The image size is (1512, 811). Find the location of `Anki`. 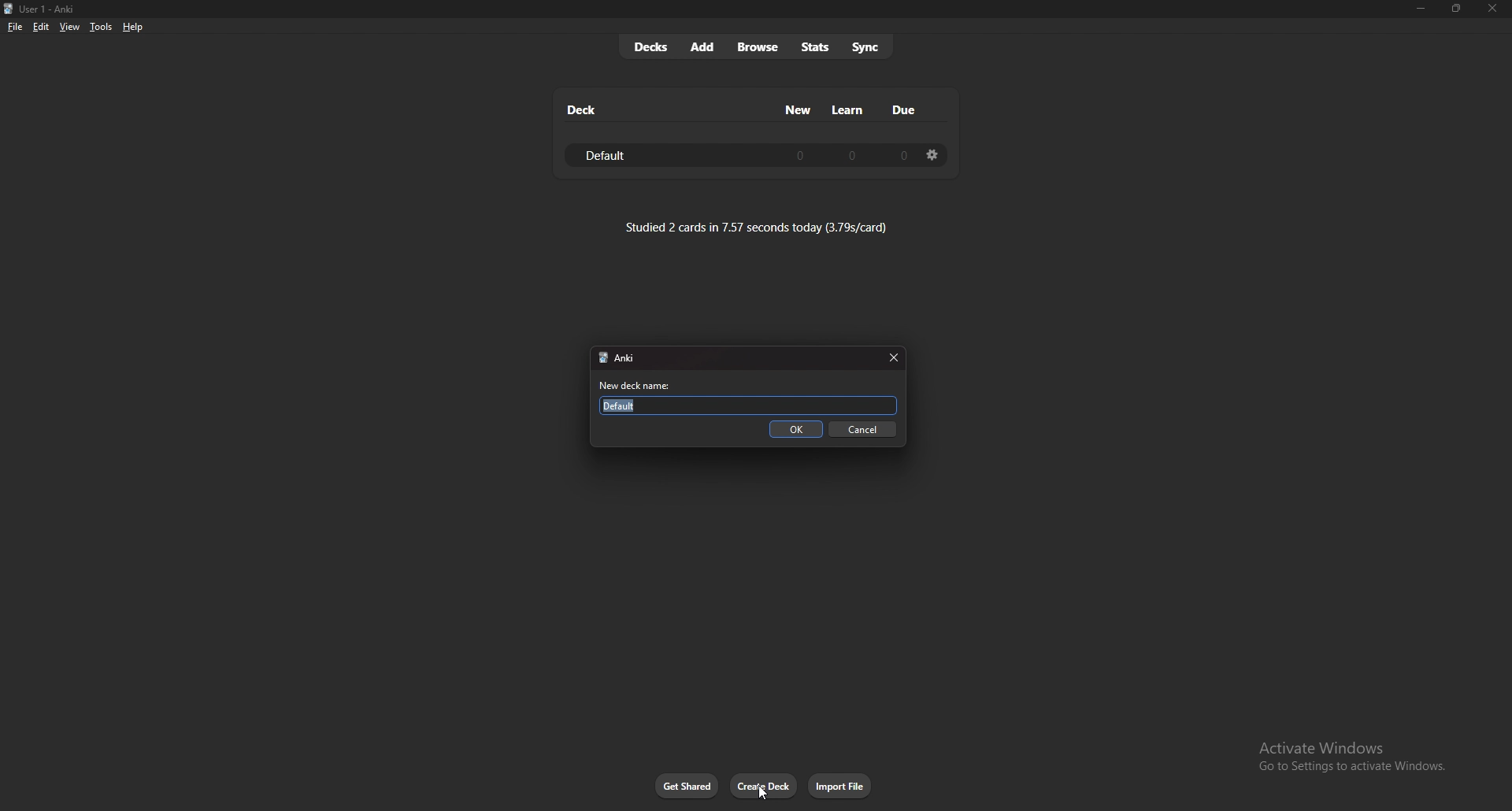

Anki is located at coordinates (635, 359).